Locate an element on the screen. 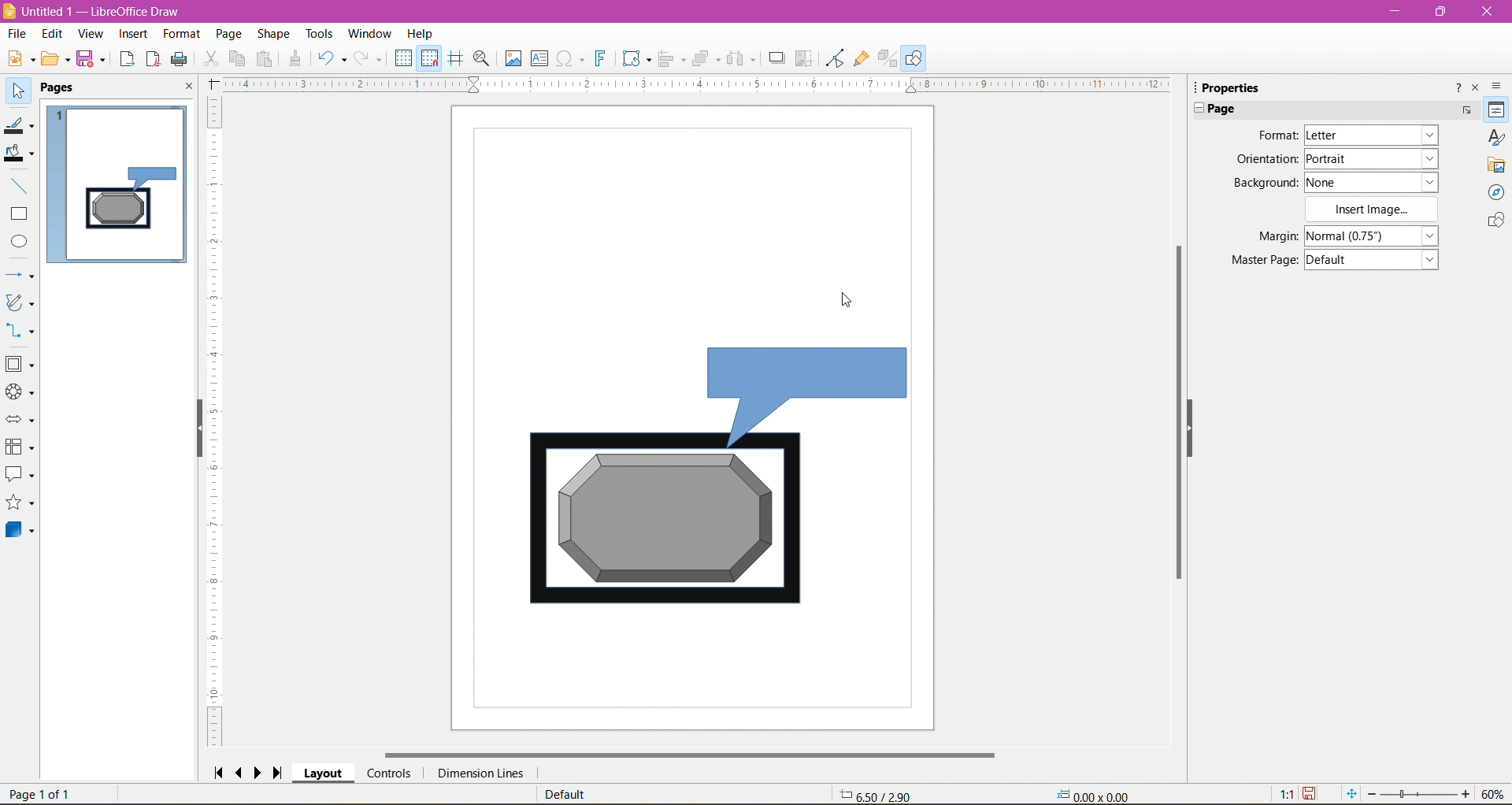  Minimize is located at coordinates (1396, 10).